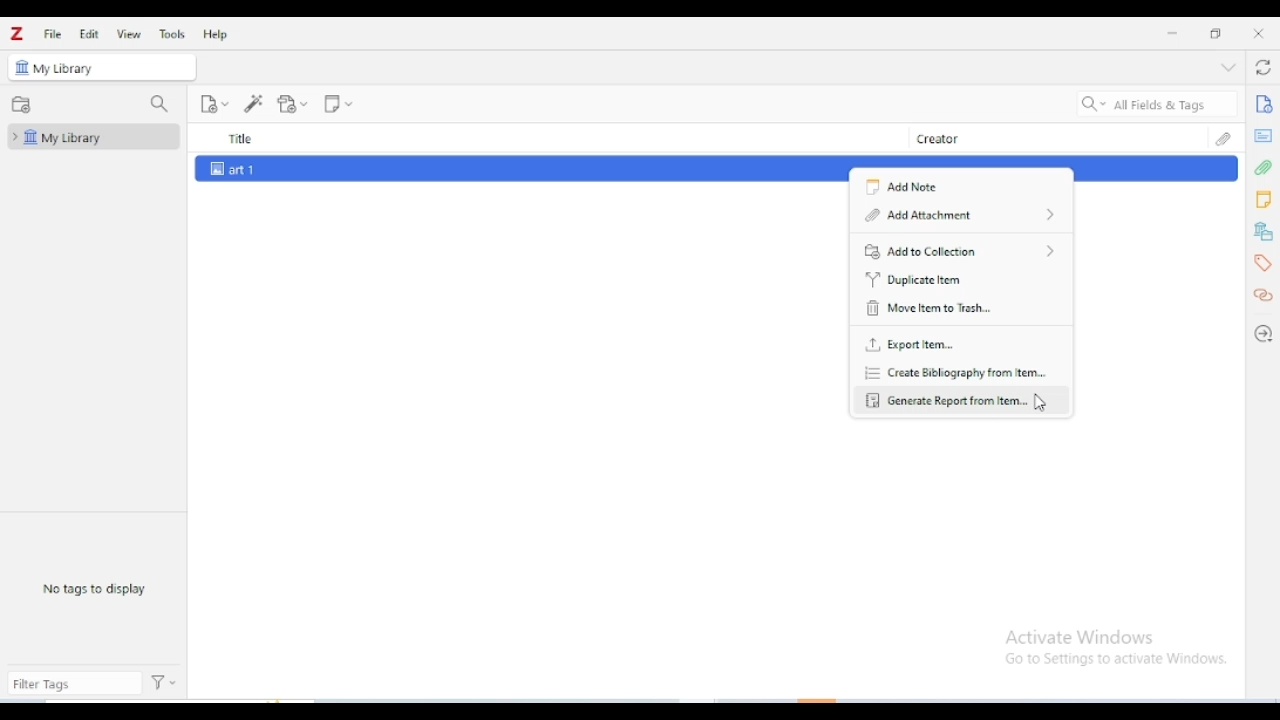 The height and width of the screenshot is (720, 1280). I want to click on generate report from item, so click(945, 399).